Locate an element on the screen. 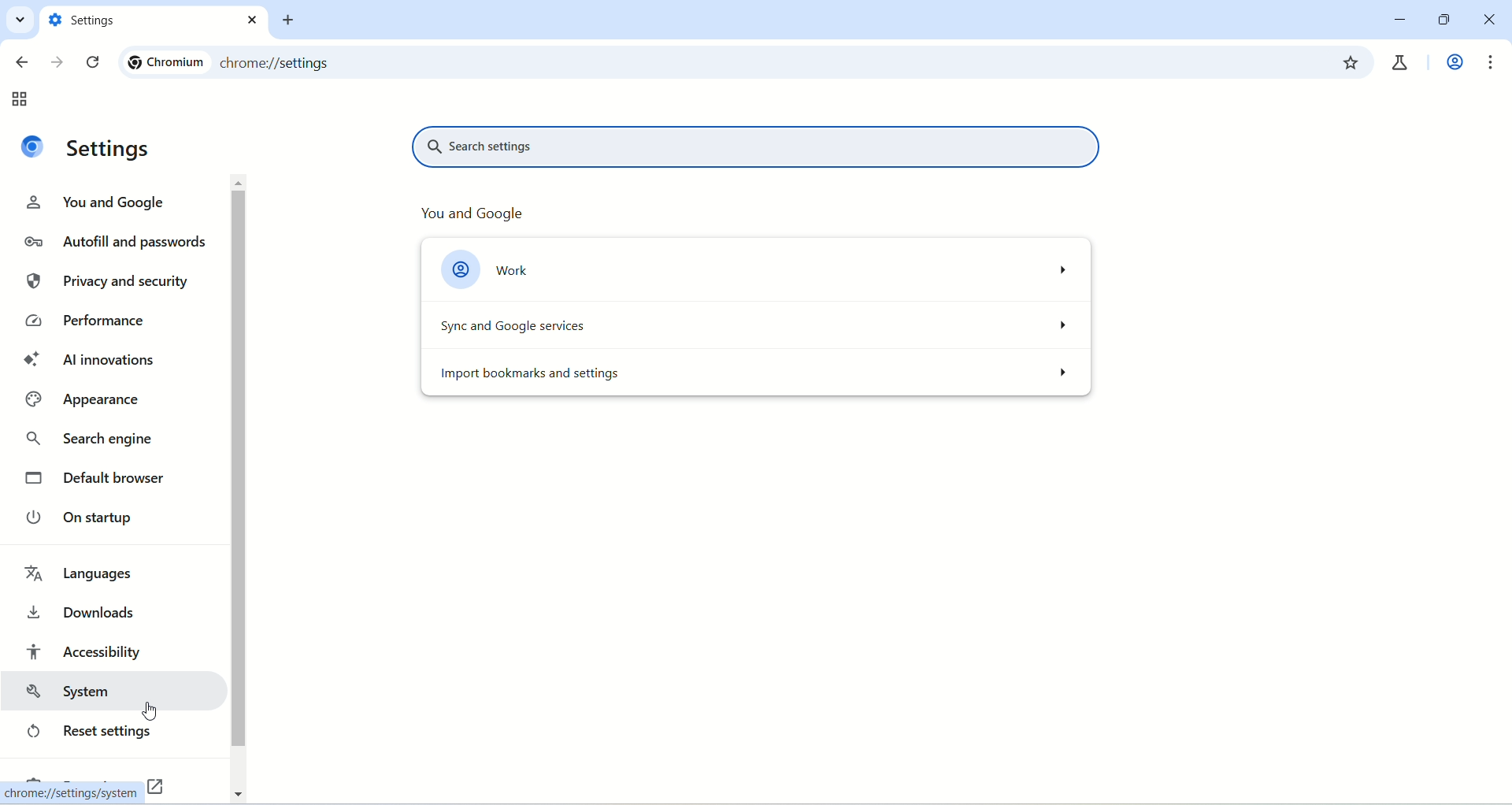  close is located at coordinates (1491, 20).